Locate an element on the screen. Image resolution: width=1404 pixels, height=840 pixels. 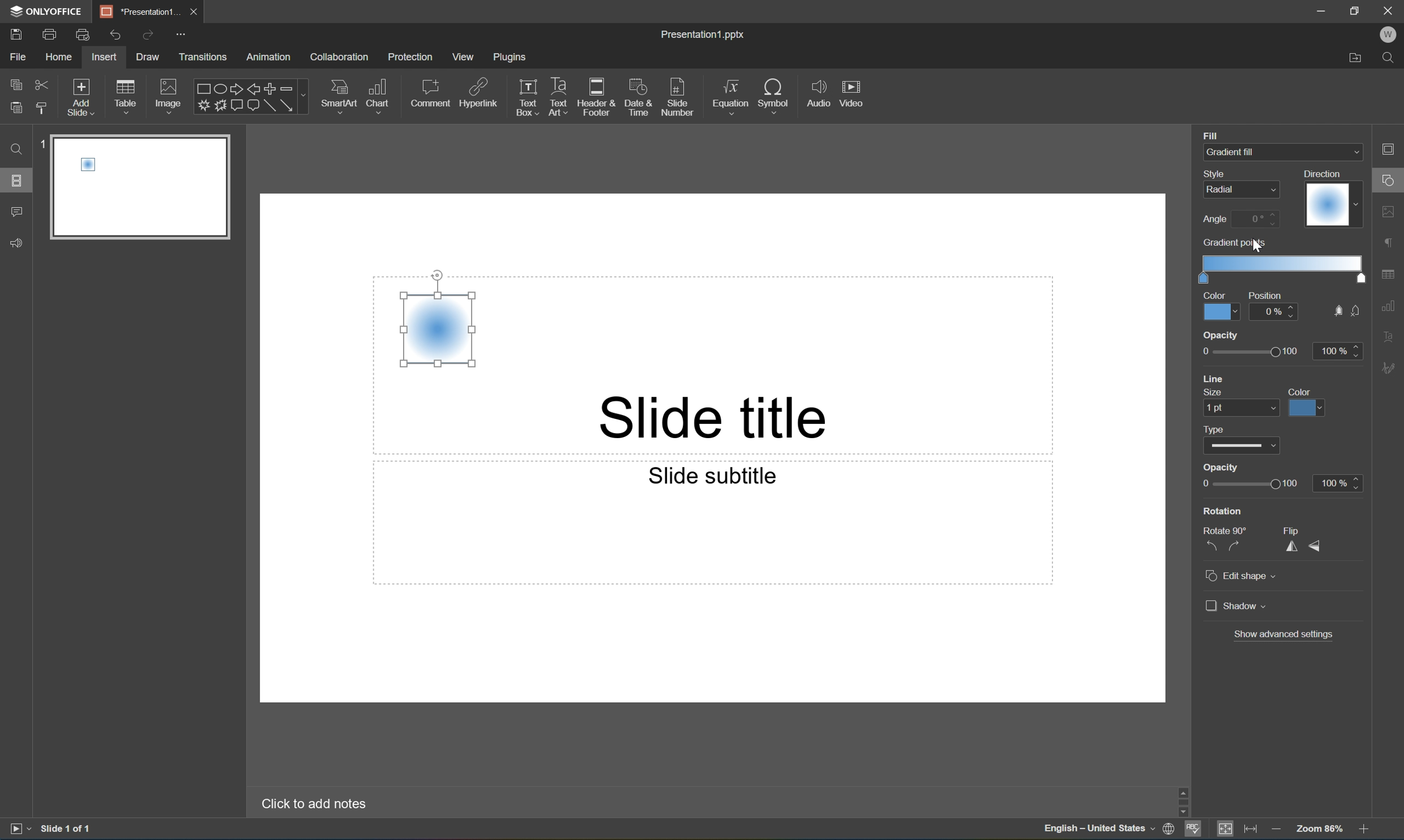
File is located at coordinates (18, 57).